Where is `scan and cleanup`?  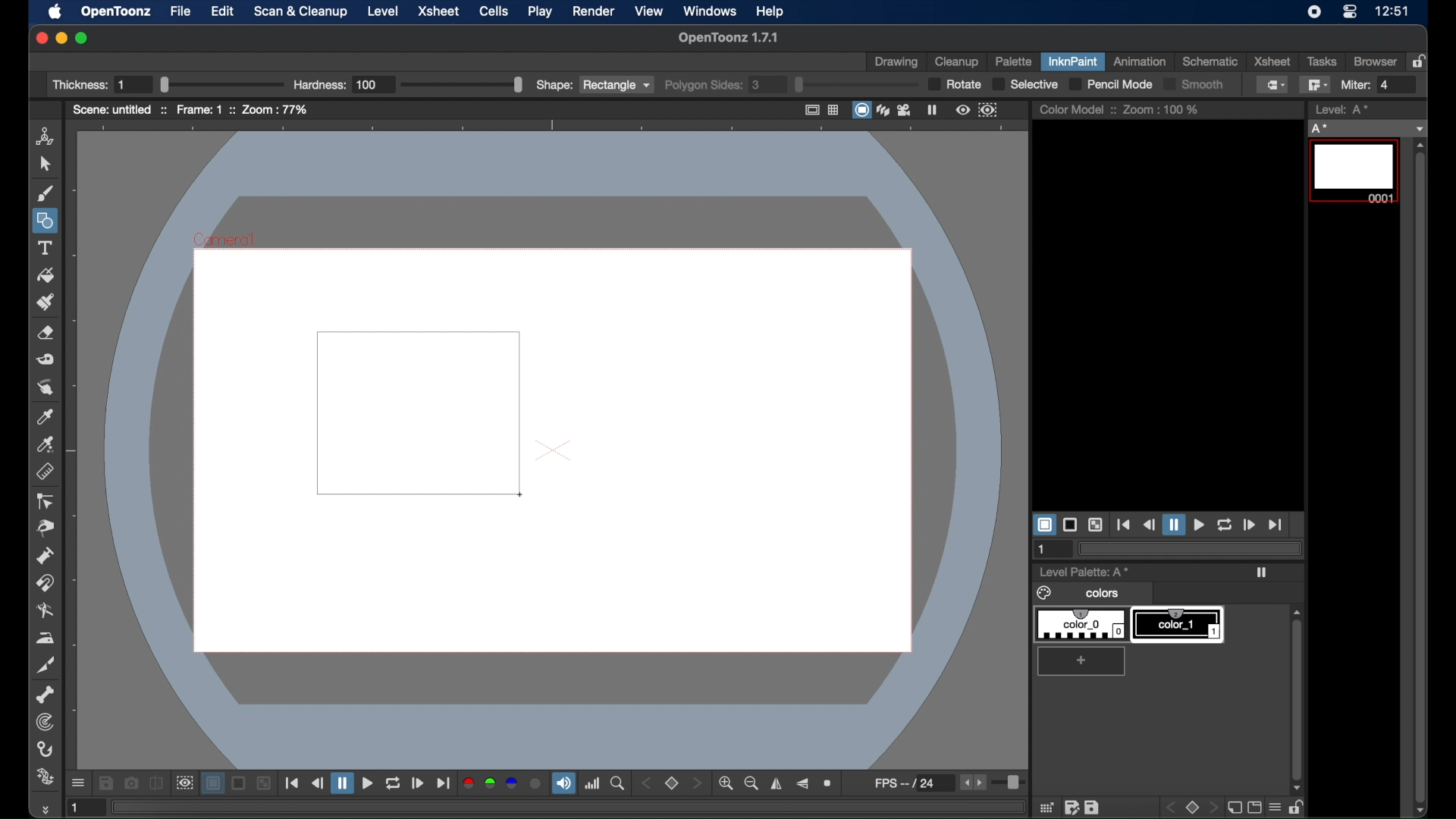
scan and cleanup is located at coordinates (302, 11).